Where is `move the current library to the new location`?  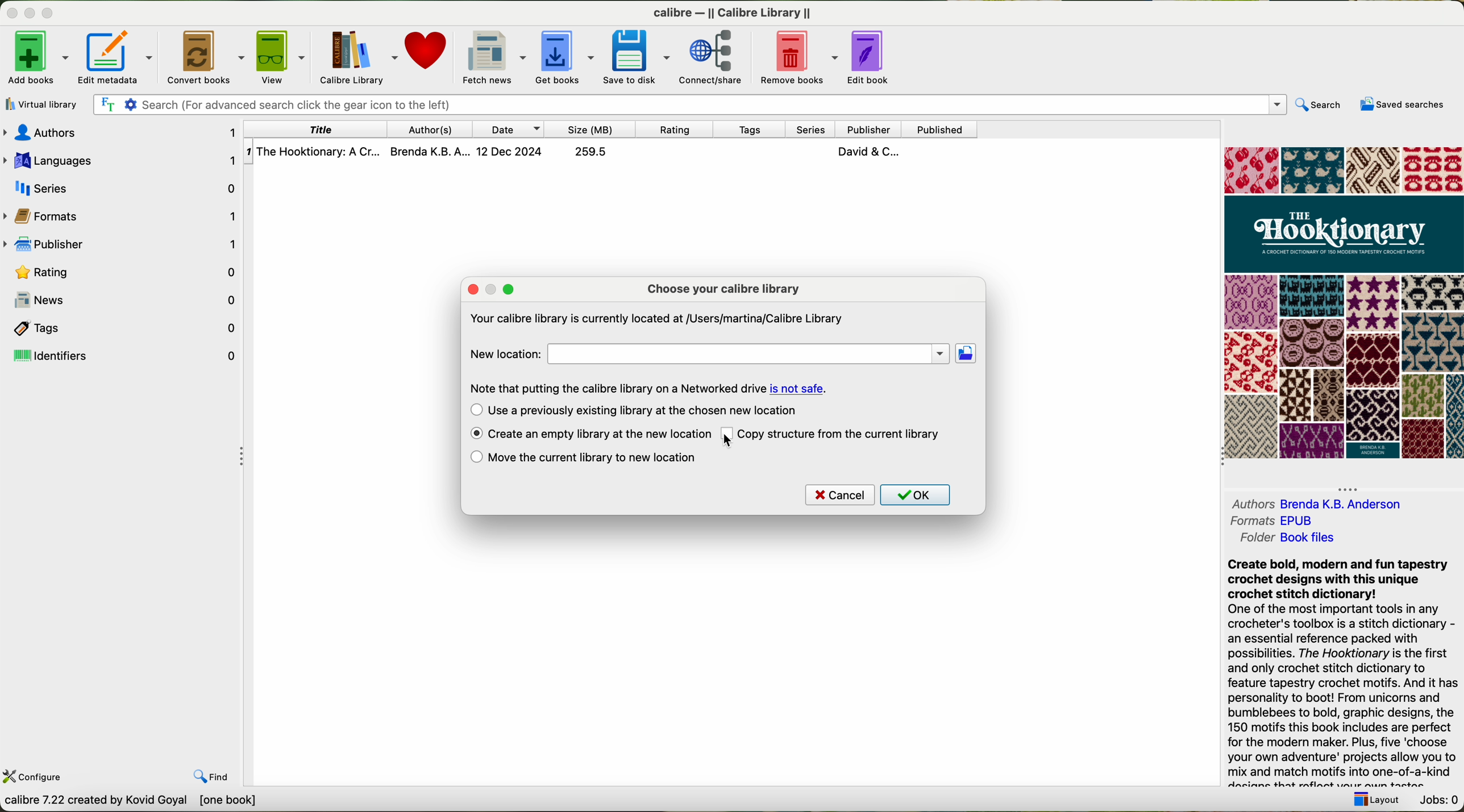 move the current library to the new location is located at coordinates (597, 459).